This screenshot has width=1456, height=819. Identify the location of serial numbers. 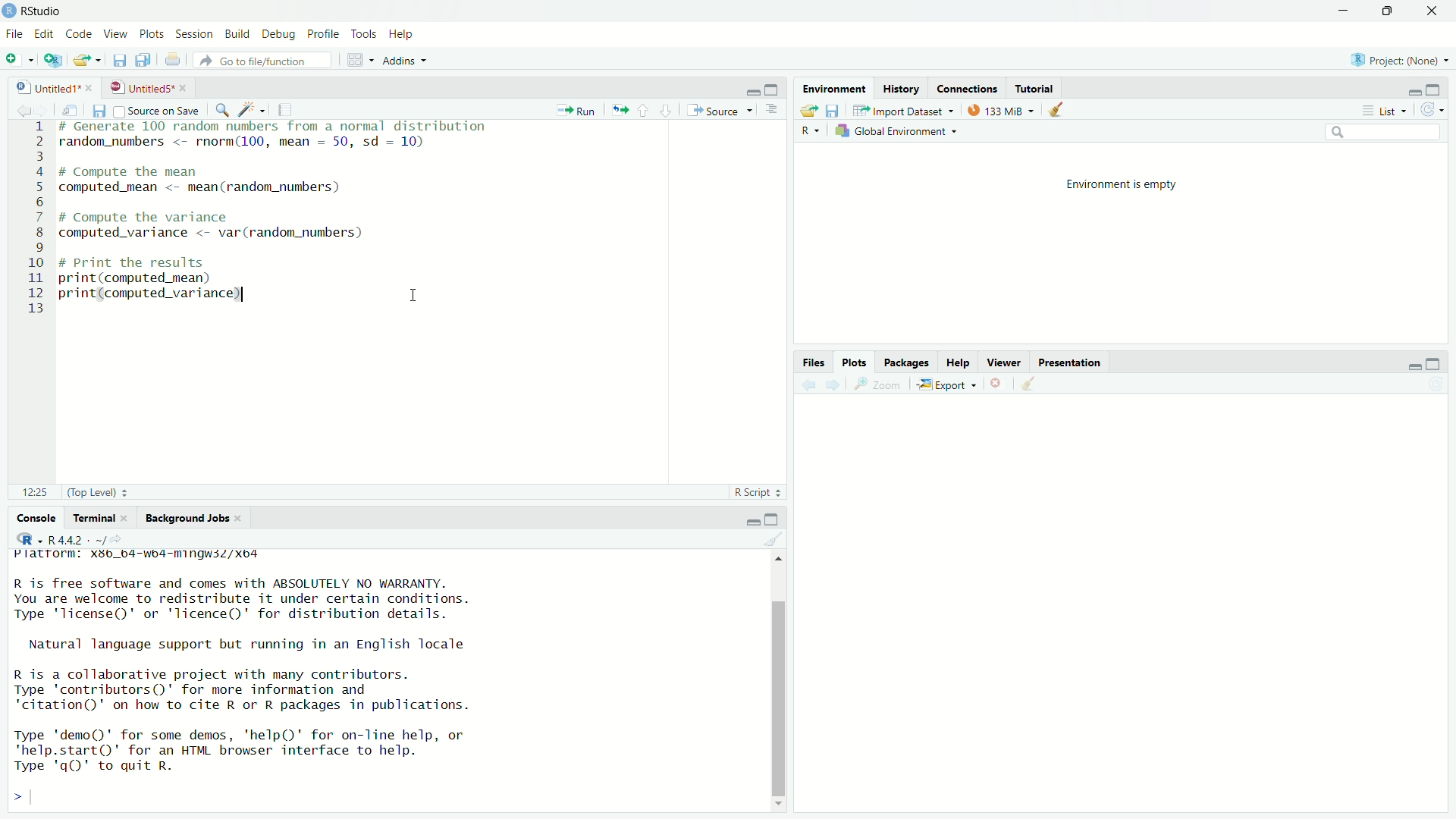
(30, 218).